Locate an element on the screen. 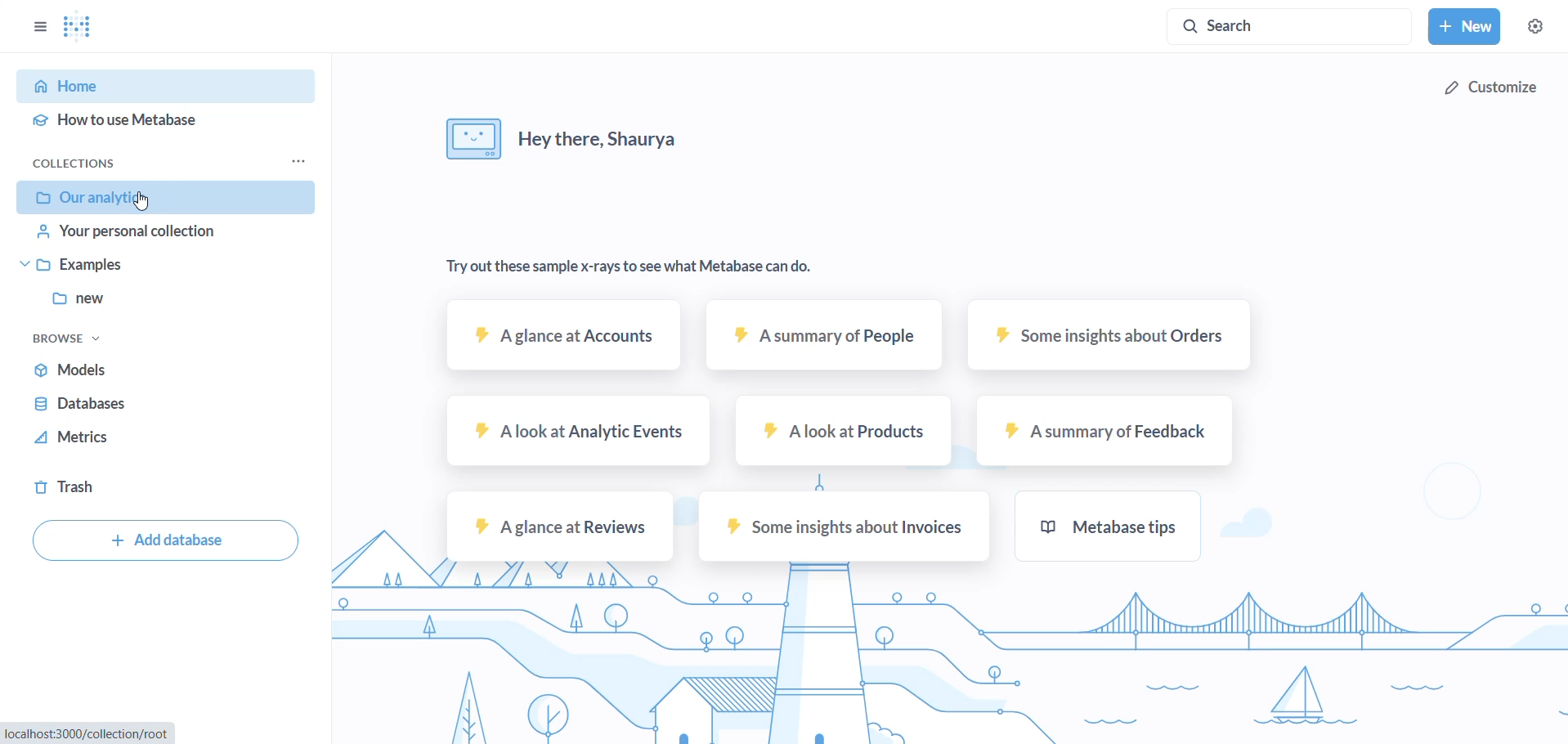 Image resolution: width=1568 pixels, height=744 pixels. A summary of feedback is located at coordinates (1109, 432).